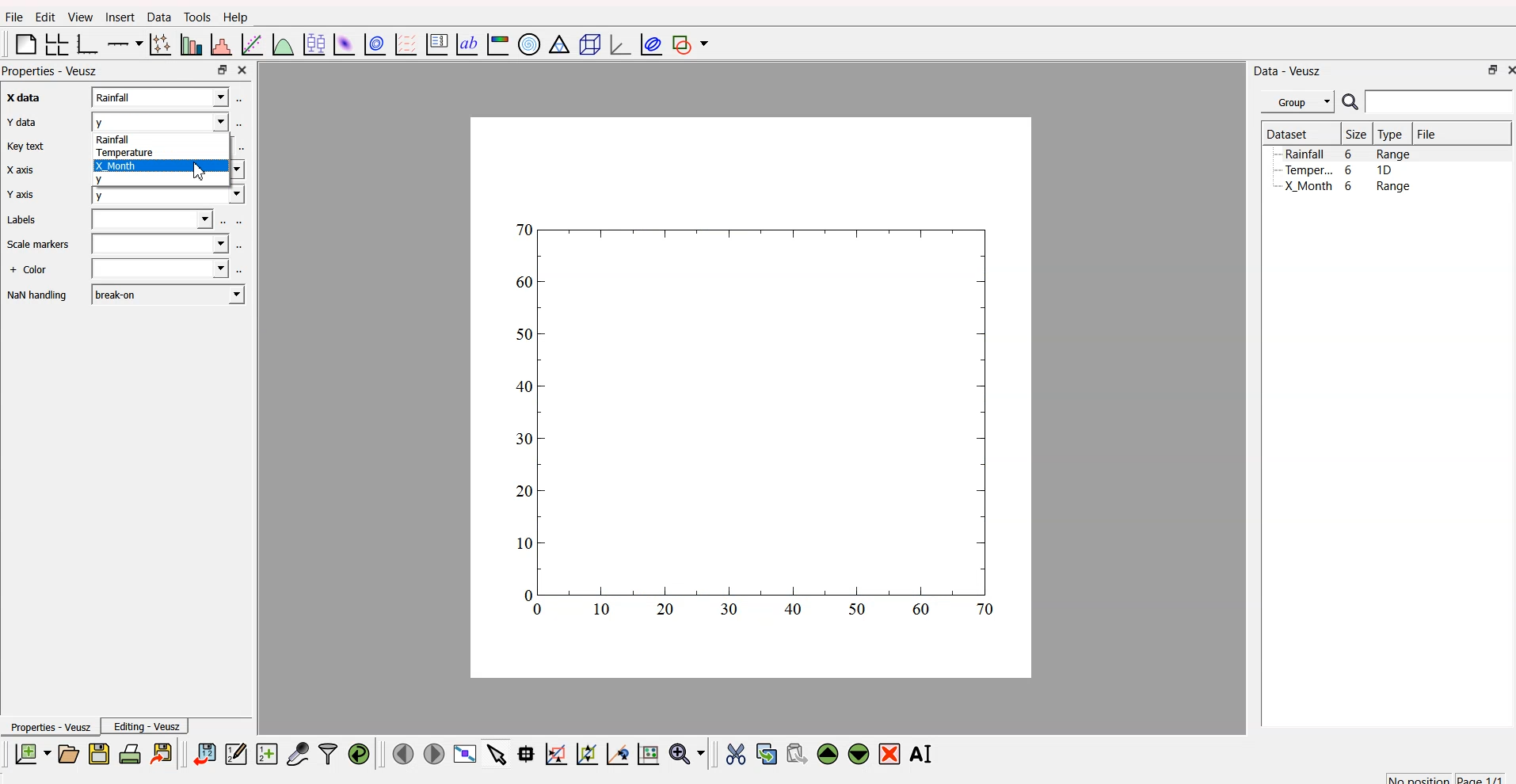 The image size is (1516, 784). I want to click on field, so click(163, 244).